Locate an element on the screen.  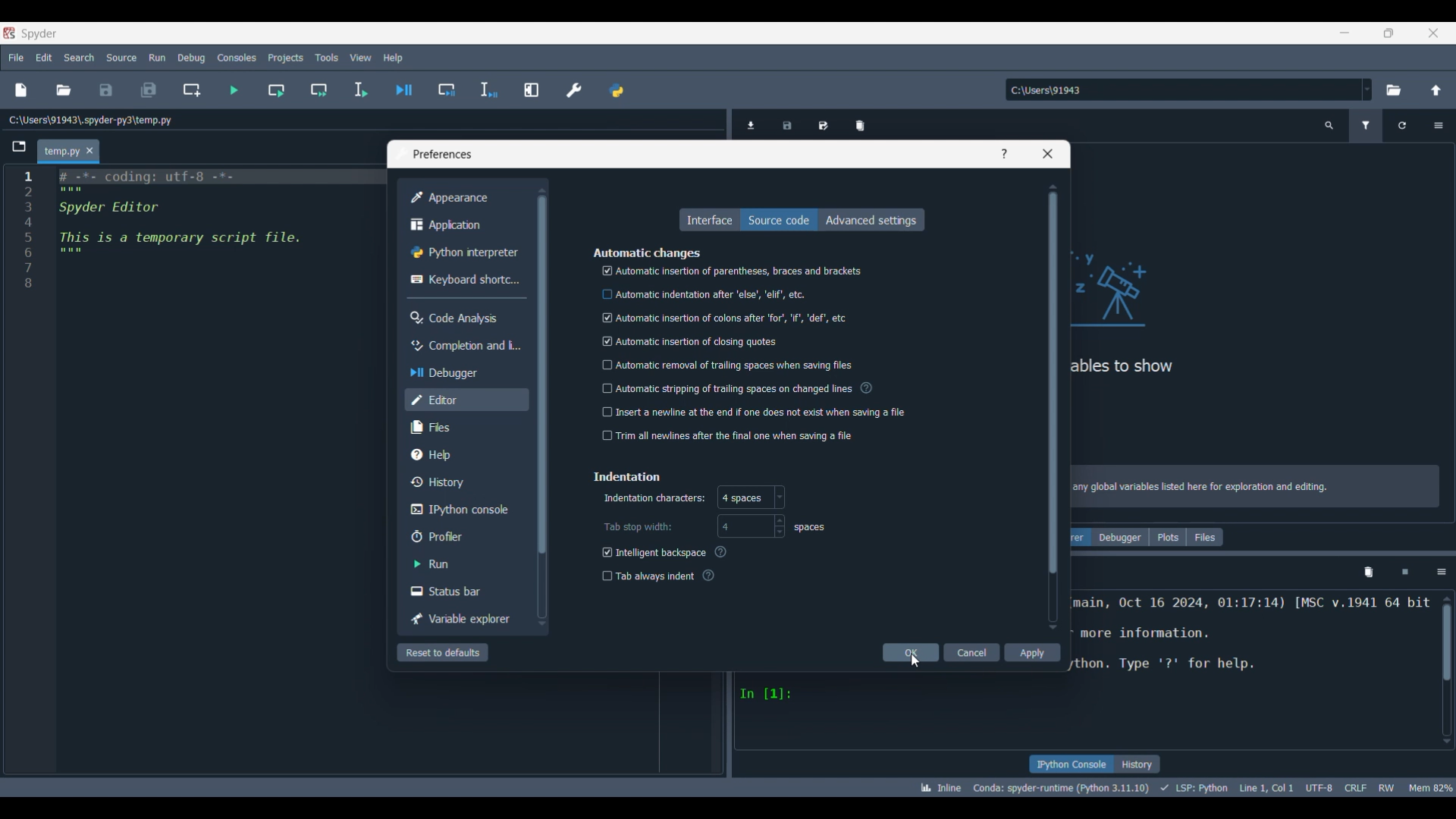
Indicates tab stop width options is located at coordinates (637, 527).